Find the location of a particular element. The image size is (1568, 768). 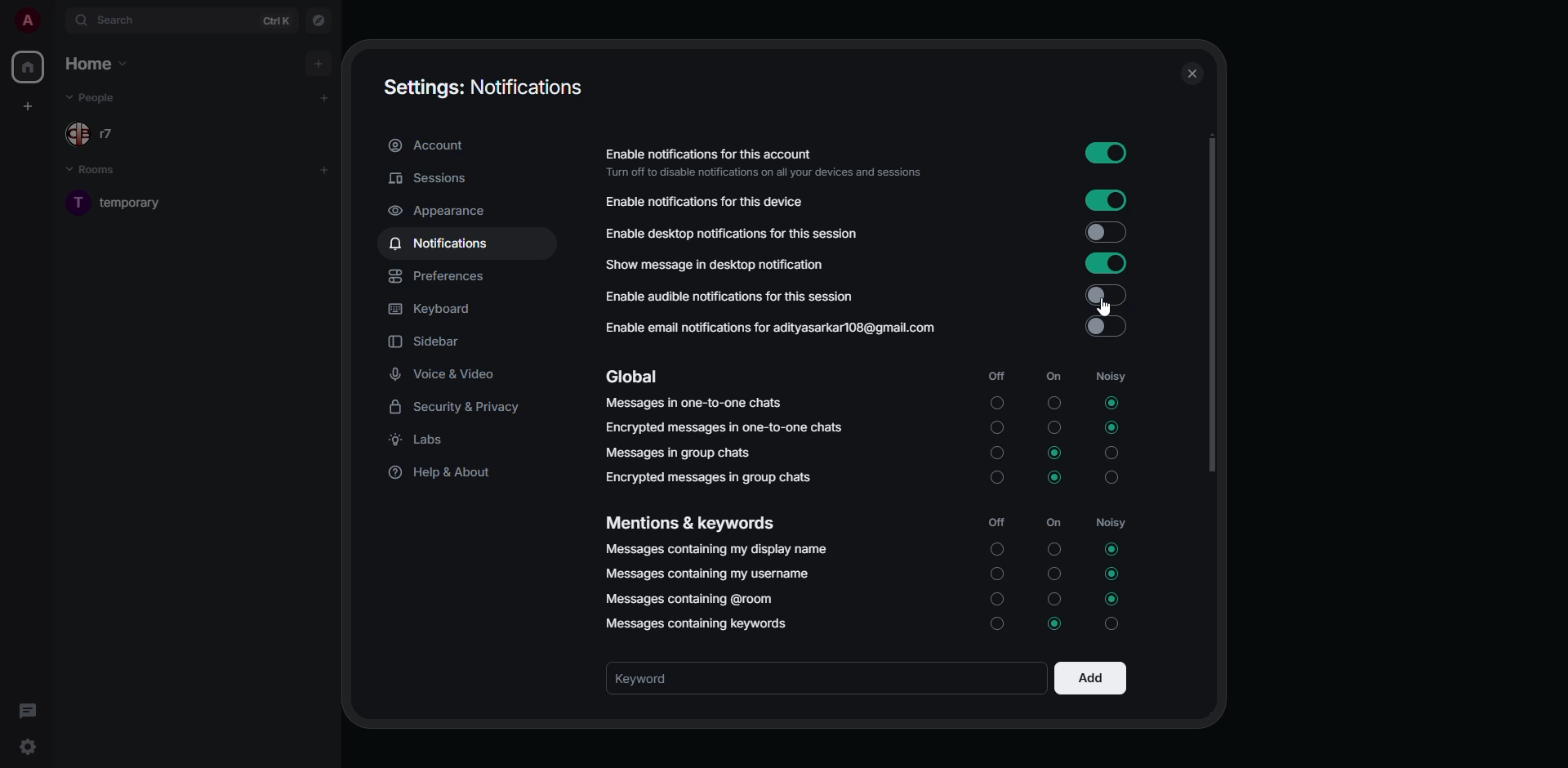

Off Unselected is located at coordinates (998, 453).